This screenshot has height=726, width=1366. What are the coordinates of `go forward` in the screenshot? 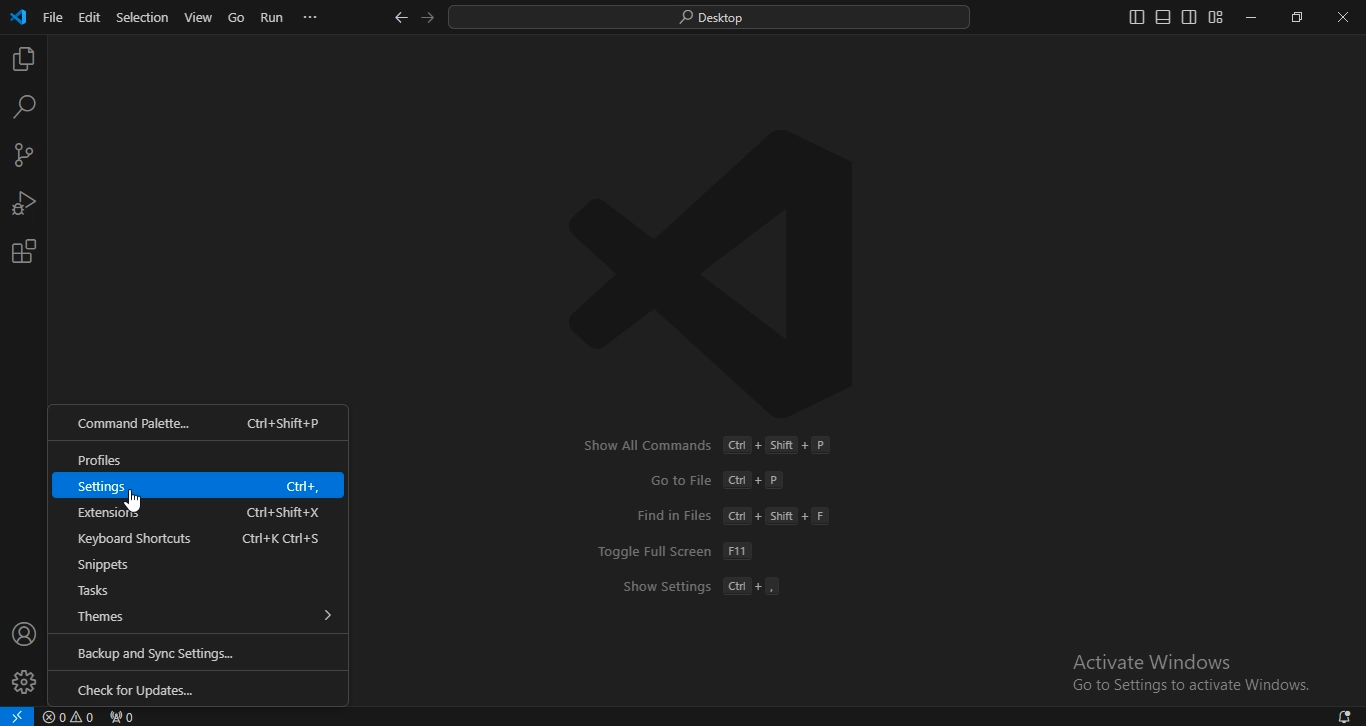 It's located at (426, 19).